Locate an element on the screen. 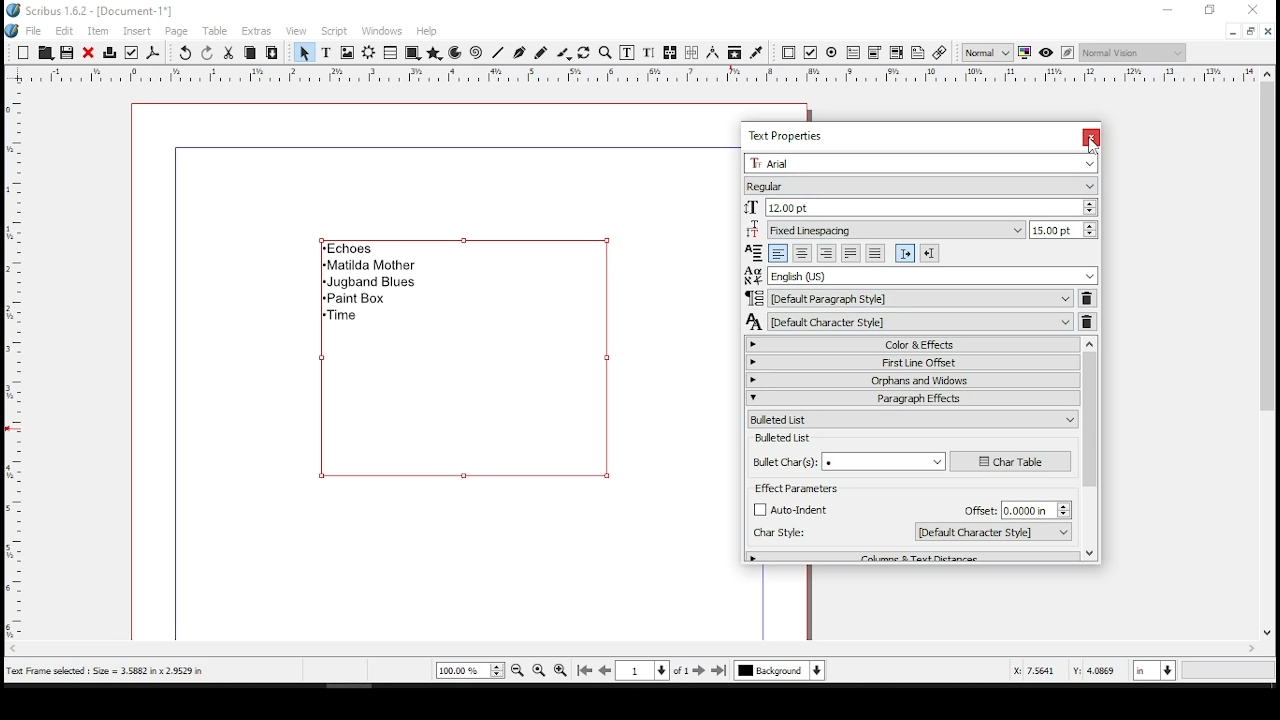  bezeir tool is located at coordinates (520, 54).